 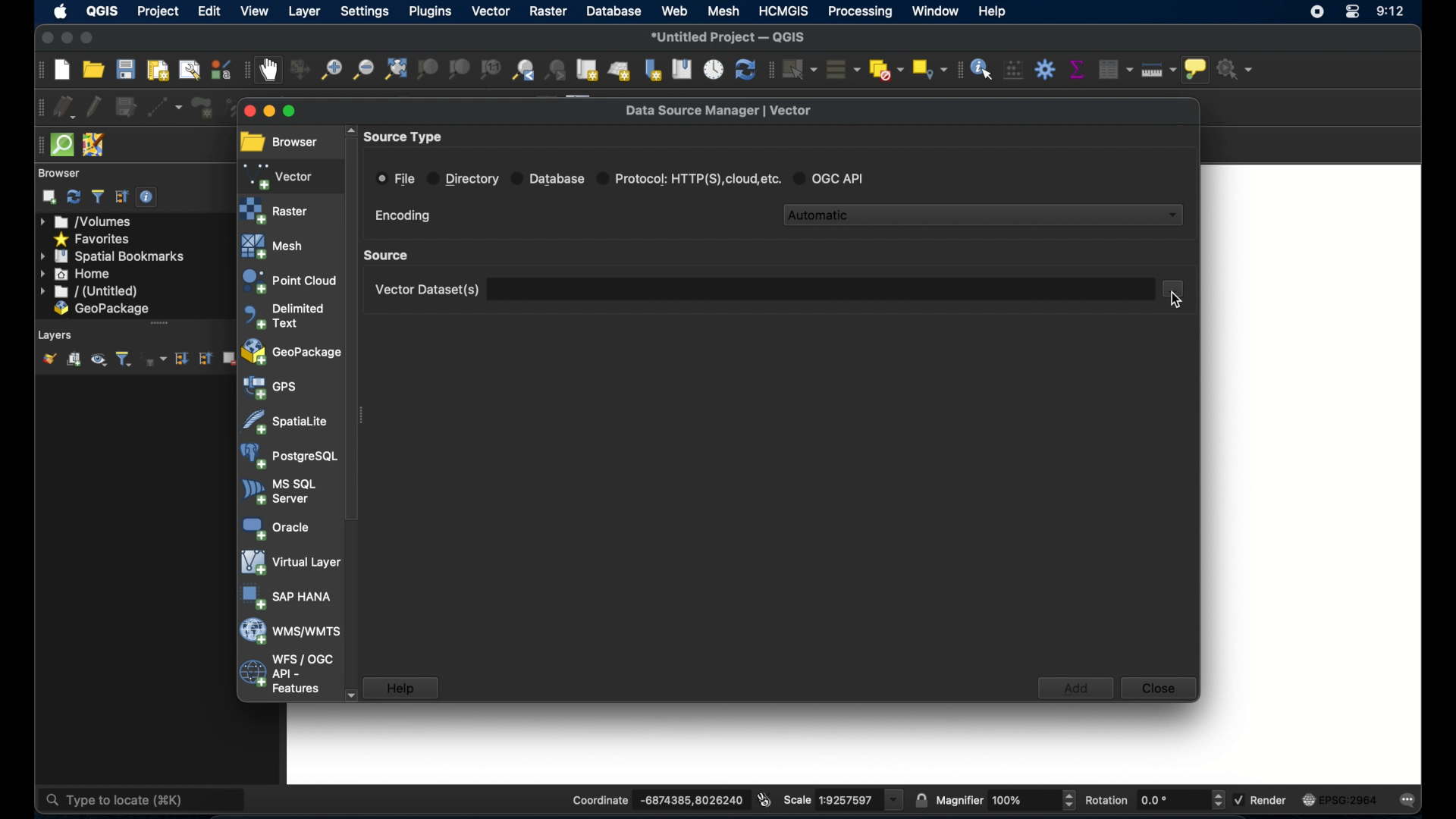 What do you see at coordinates (126, 107) in the screenshot?
I see `save edits` at bounding box center [126, 107].